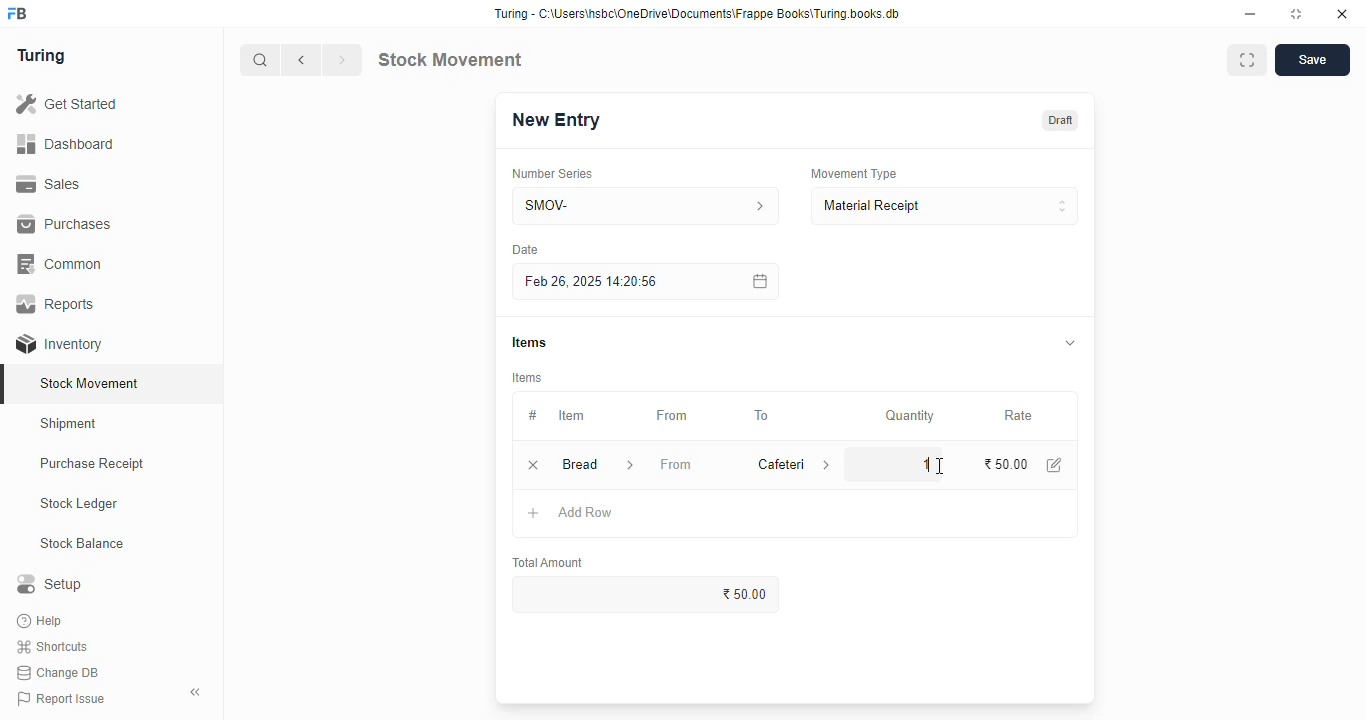 Image resolution: width=1366 pixels, height=720 pixels. What do you see at coordinates (59, 344) in the screenshot?
I see `inventory` at bounding box center [59, 344].